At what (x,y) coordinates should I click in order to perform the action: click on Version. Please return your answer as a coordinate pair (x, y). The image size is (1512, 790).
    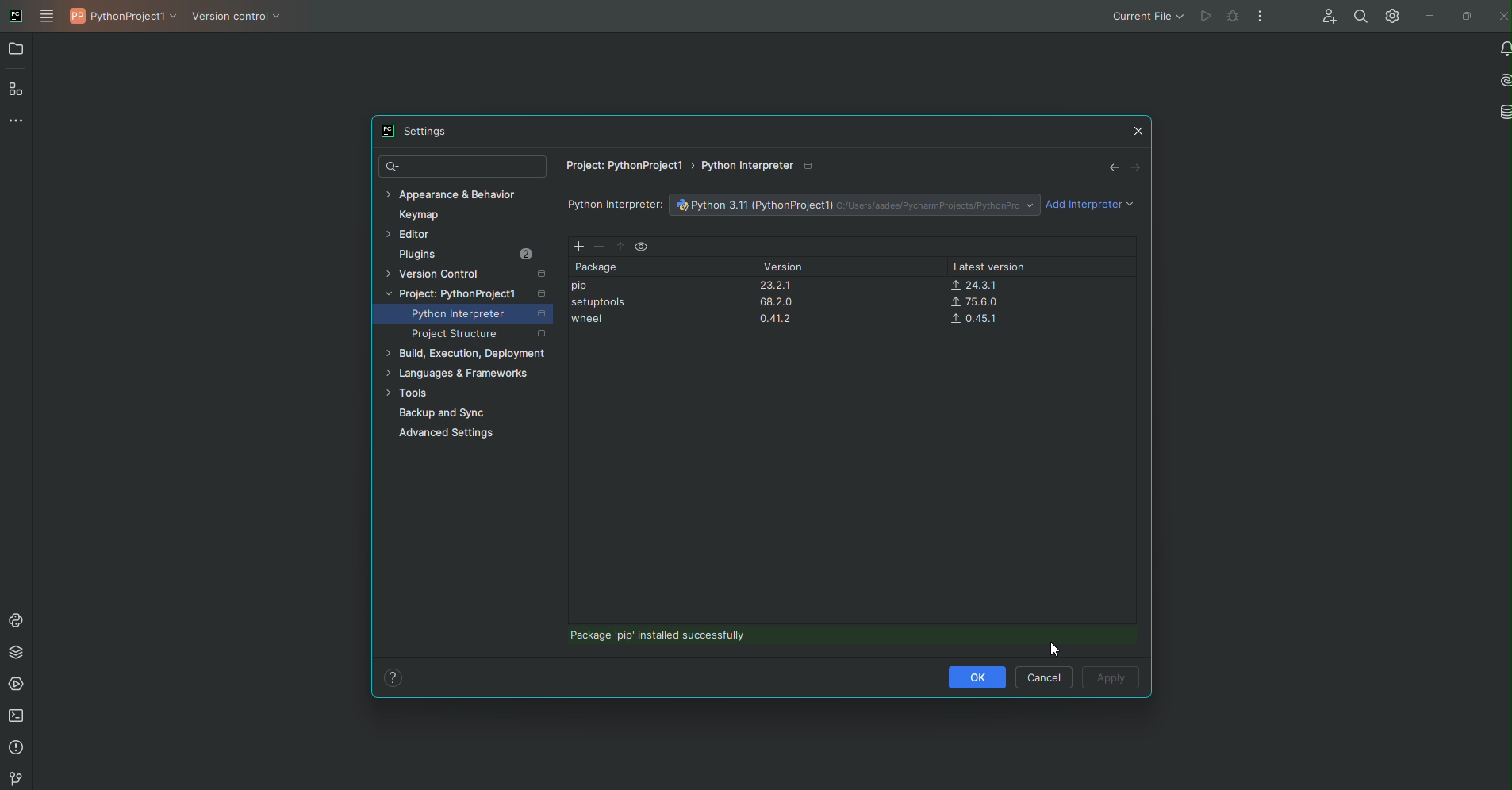
    Looking at the image, I should click on (787, 267).